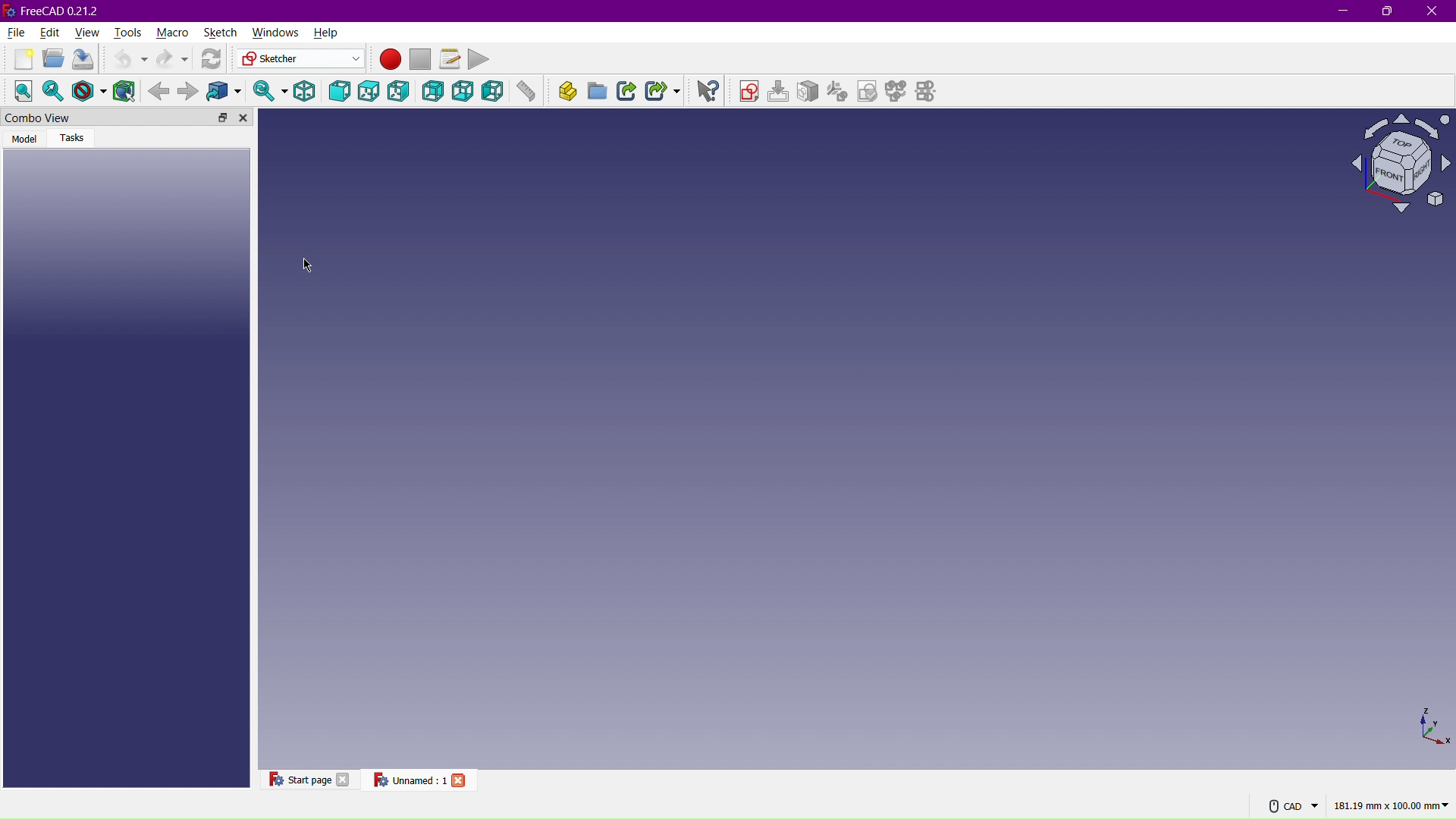 The width and height of the screenshot is (1456, 819). Describe the element at coordinates (1432, 727) in the screenshot. I see `3D Axis View` at that location.